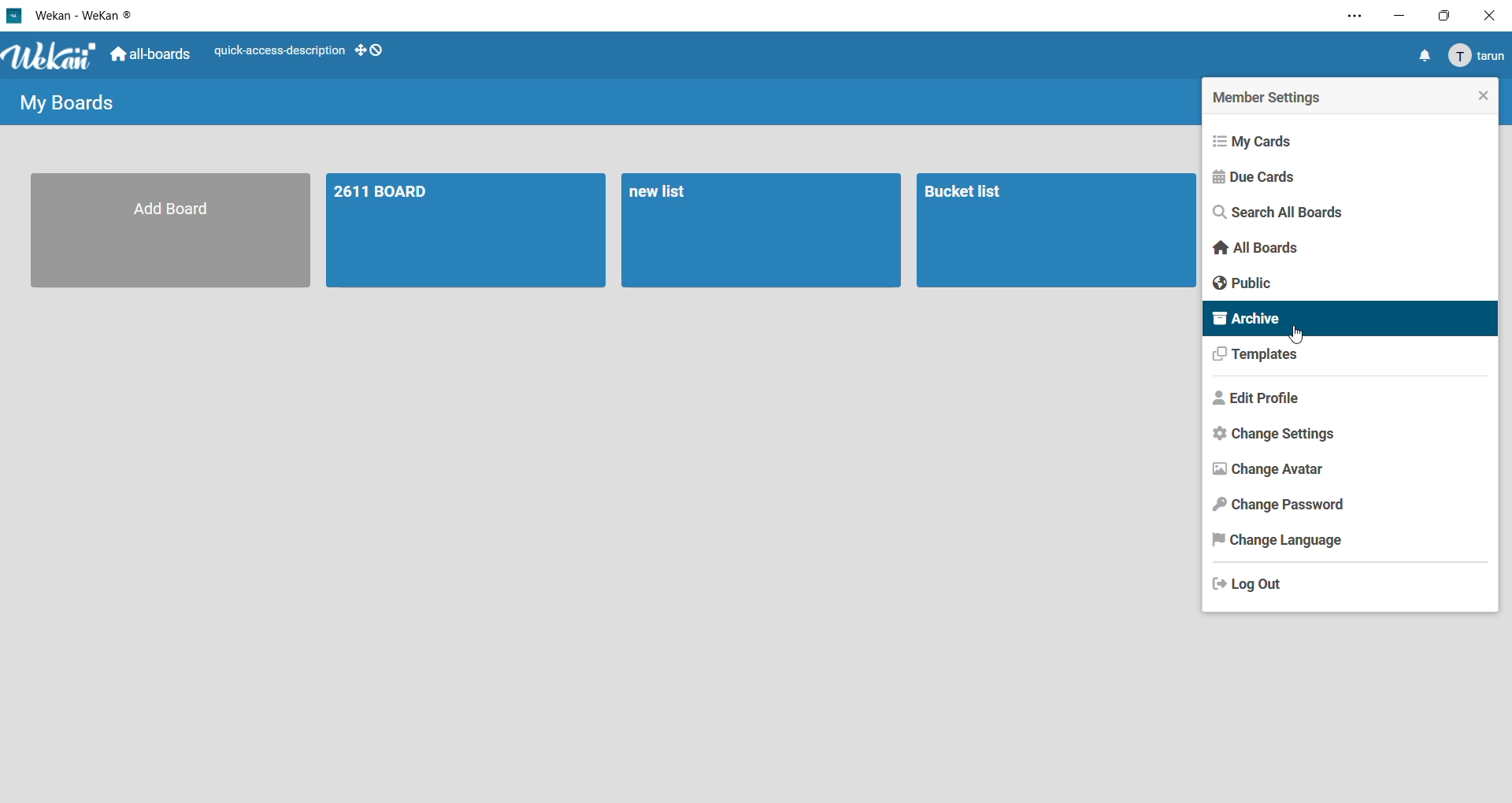  Describe the element at coordinates (1475, 57) in the screenshot. I see `menu` at that location.